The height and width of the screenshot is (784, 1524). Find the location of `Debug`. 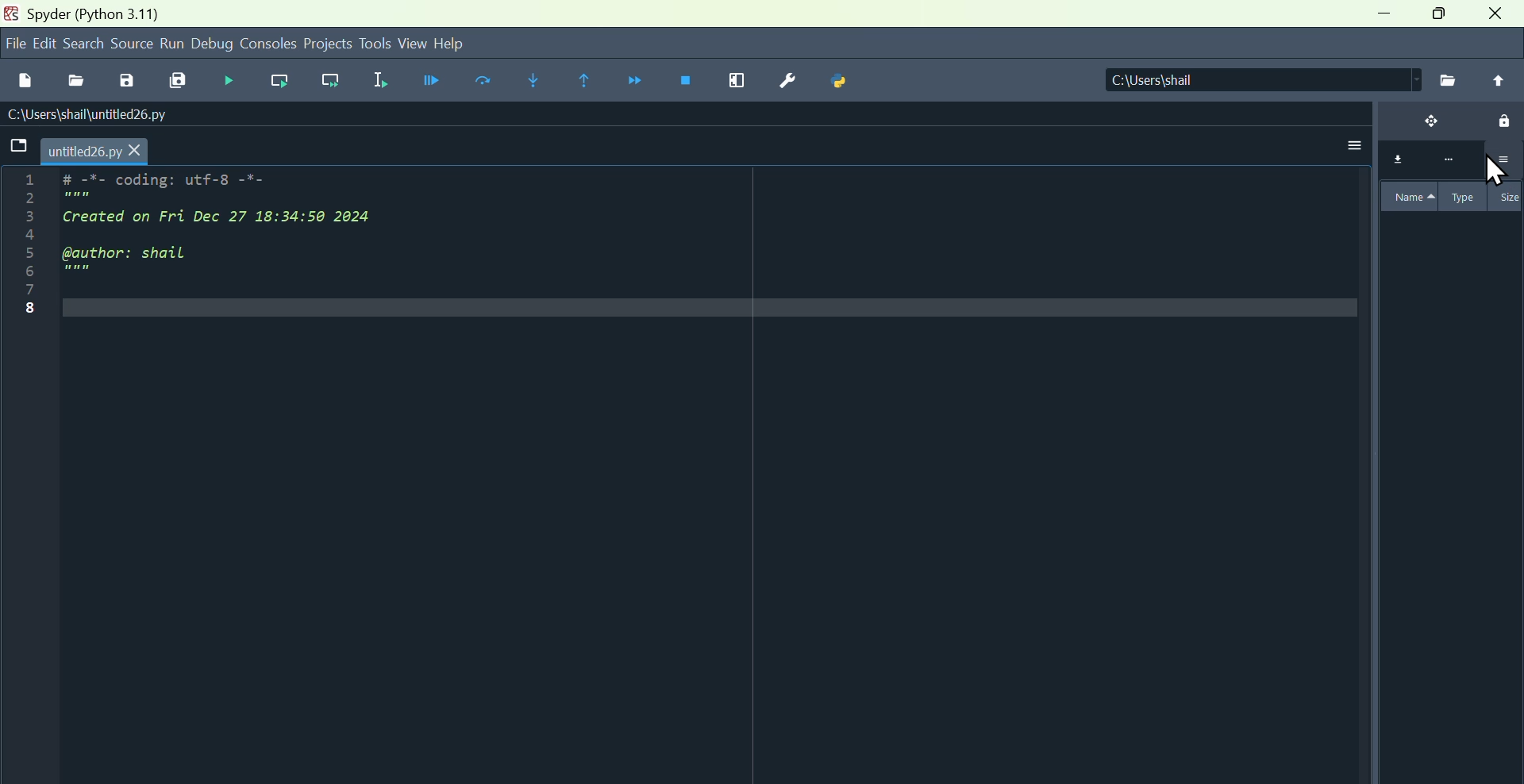

Debug is located at coordinates (214, 44).